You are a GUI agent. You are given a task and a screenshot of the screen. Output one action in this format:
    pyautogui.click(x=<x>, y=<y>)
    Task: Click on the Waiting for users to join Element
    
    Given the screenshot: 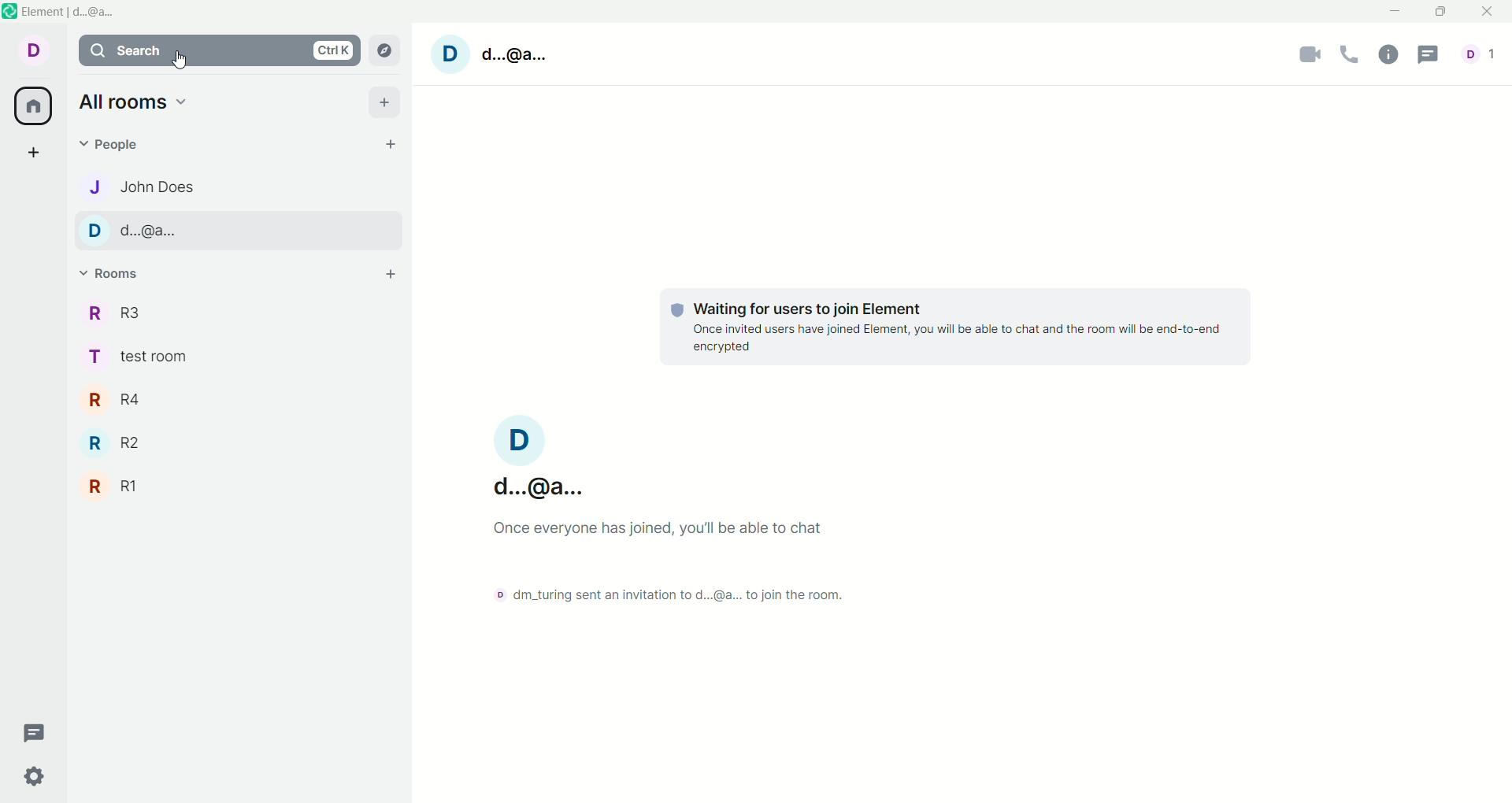 What is the action you would take?
    pyautogui.click(x=809, y=309)
    